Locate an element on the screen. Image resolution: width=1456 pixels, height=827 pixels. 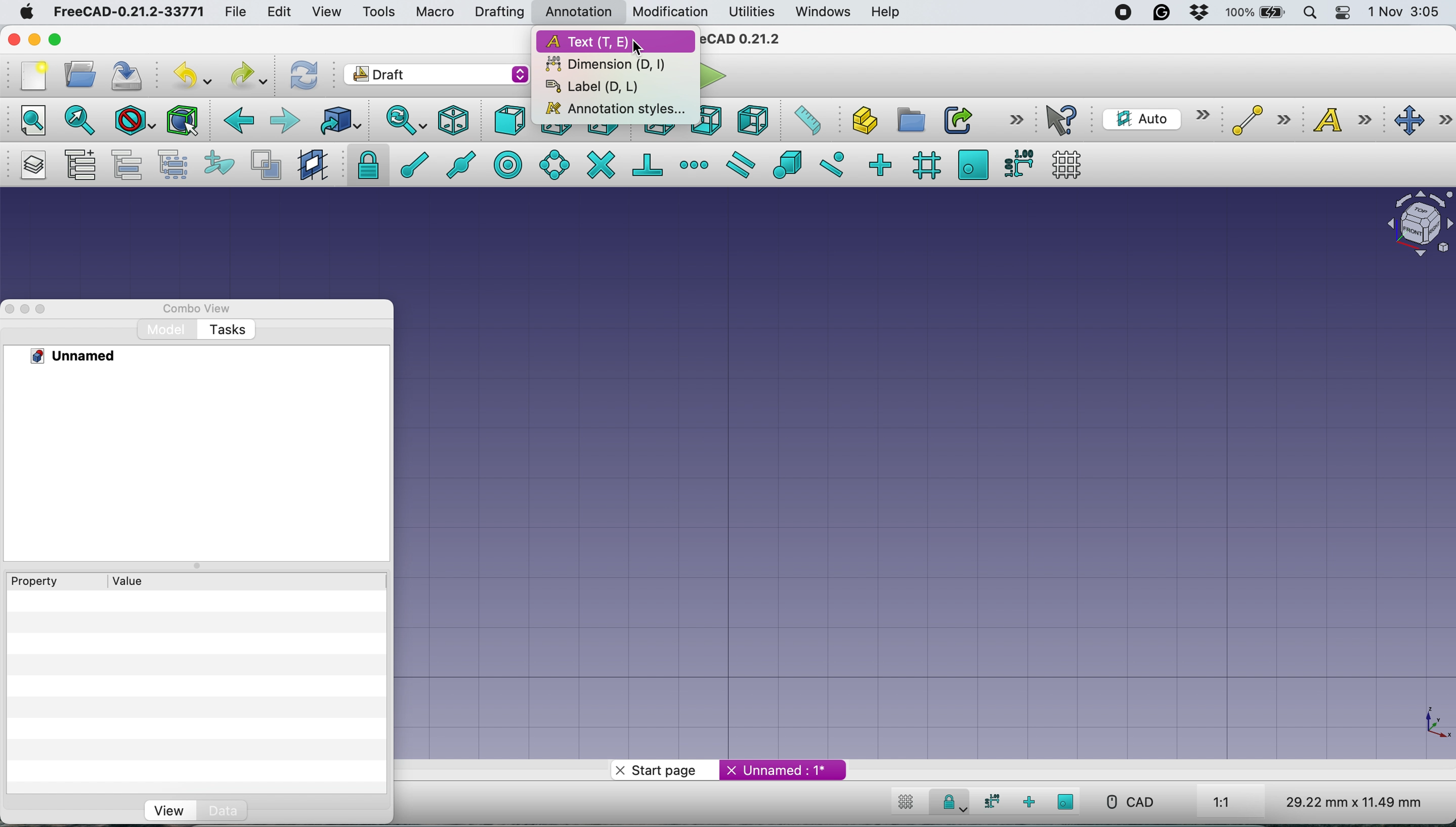
toggle grid is located at coordinates (1067, 165).